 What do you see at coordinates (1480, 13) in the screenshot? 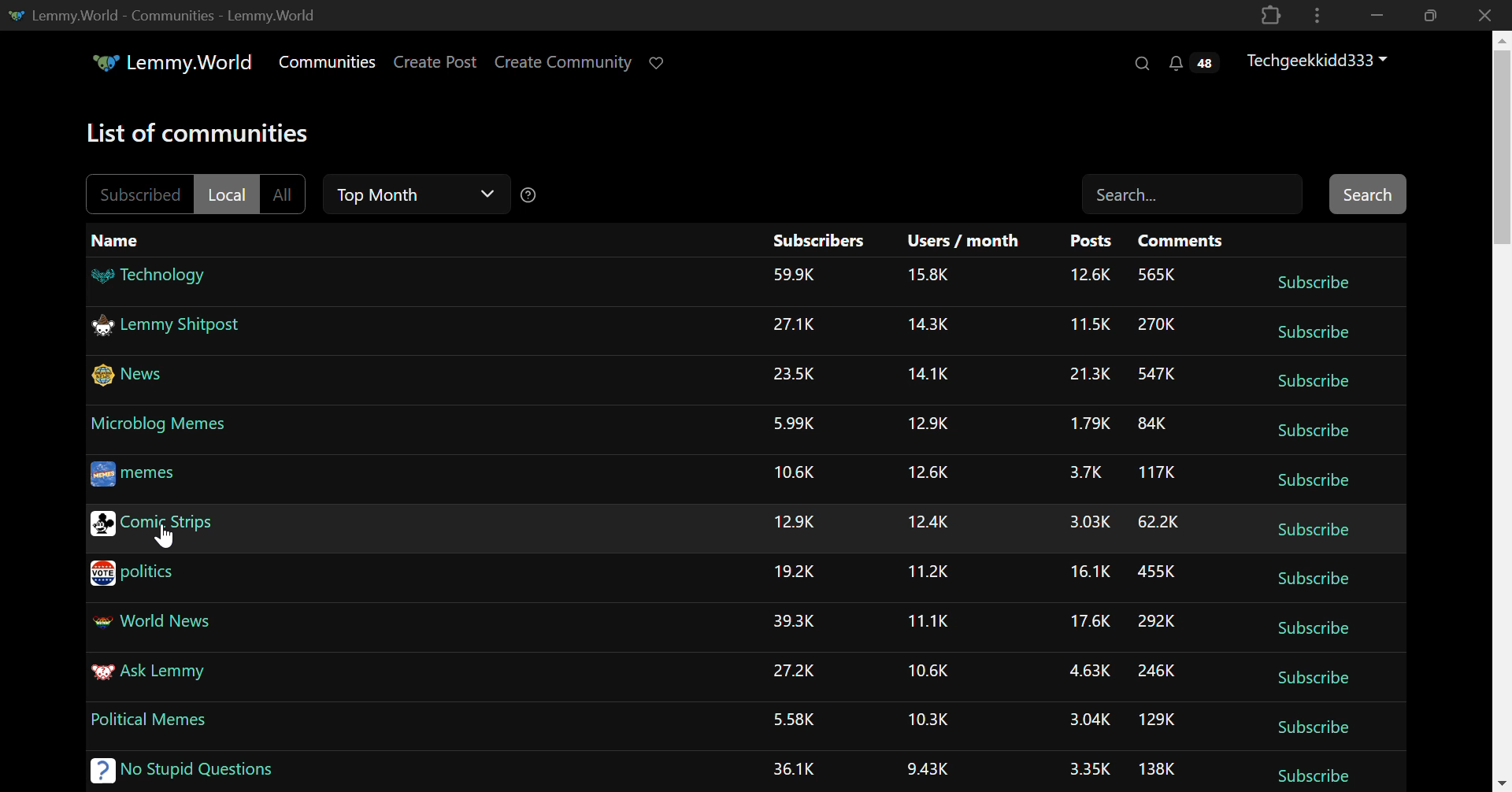
I see `Close Window` at bounding box center [1480, 13].